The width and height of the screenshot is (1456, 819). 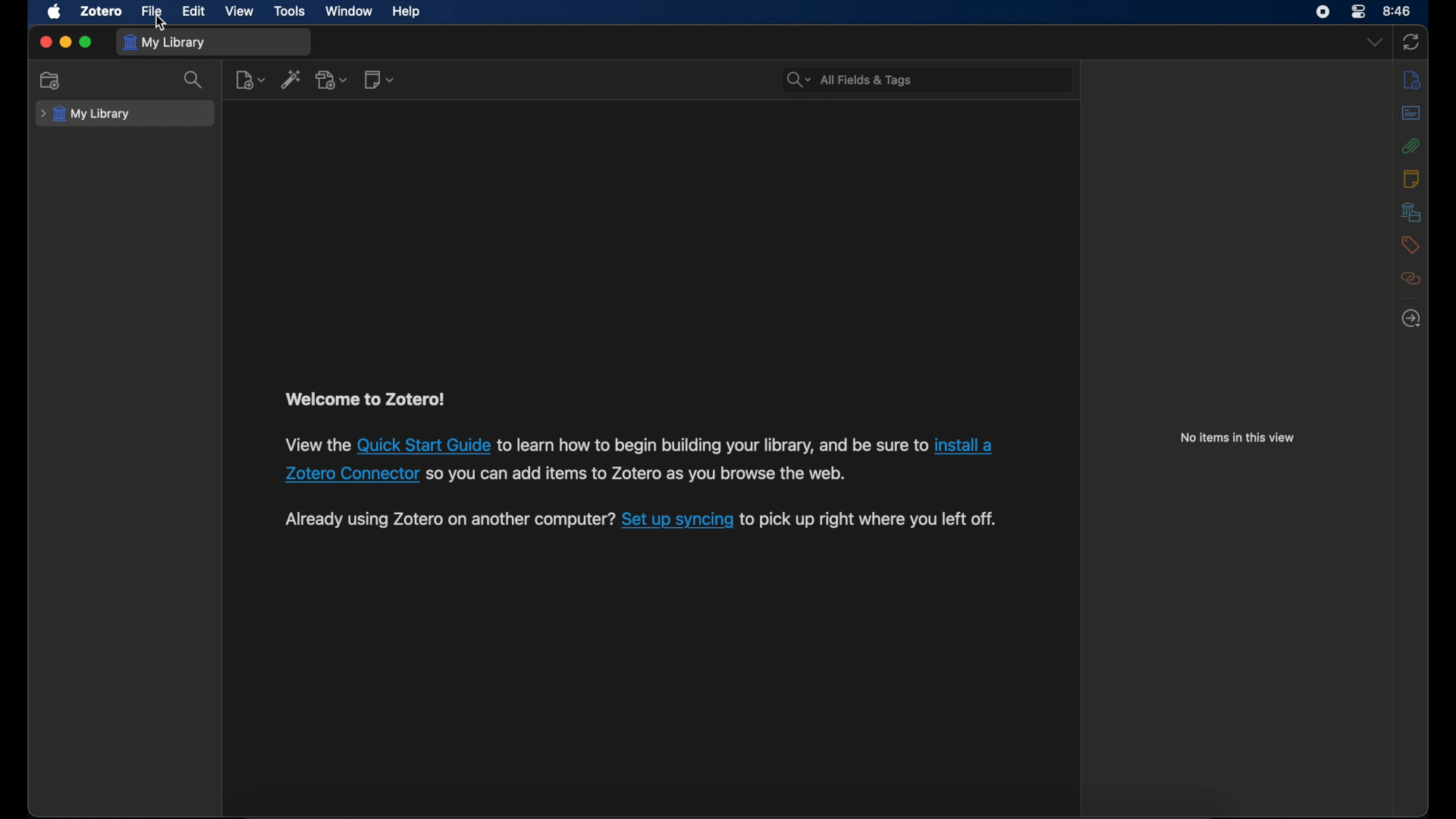 What do you see at coordinates (1414, 80) in the screenshot?
I see `info` at bounding box center [1414, 80].